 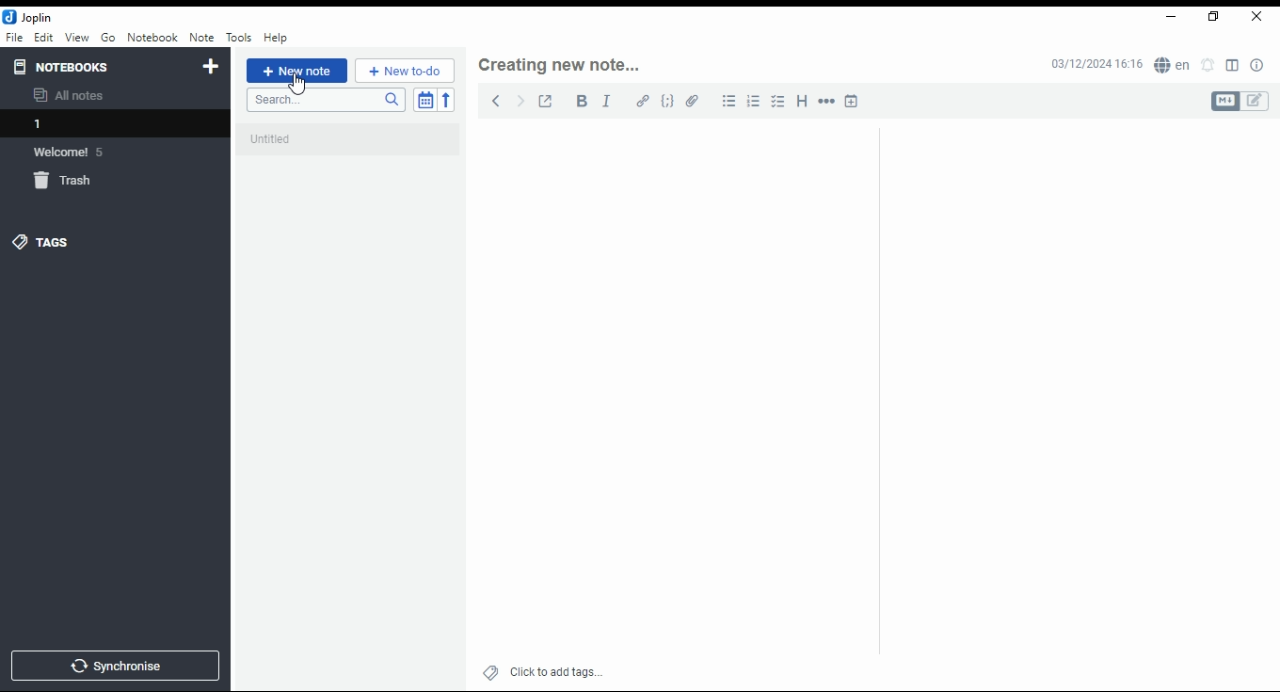 What do you see at coordinates (97, 66) in the screenshot?
I see `notebooks` at bounding box center [97, 66].